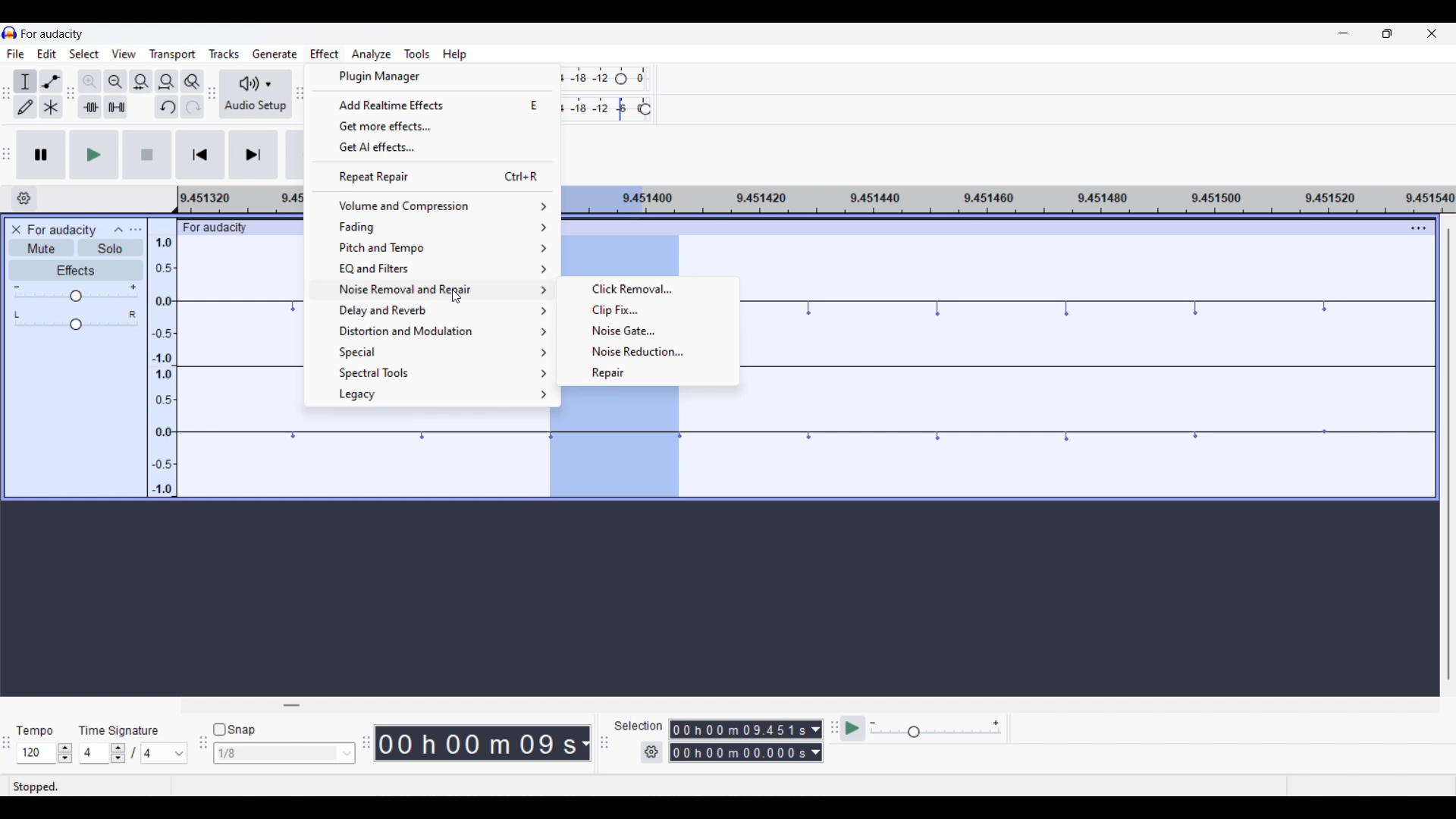 This screenshot has height=819, width=1456. What do you see at coordinates (45, 752) in the screenshot?
I see `Tempo settings` at bounding box center [45, 752].